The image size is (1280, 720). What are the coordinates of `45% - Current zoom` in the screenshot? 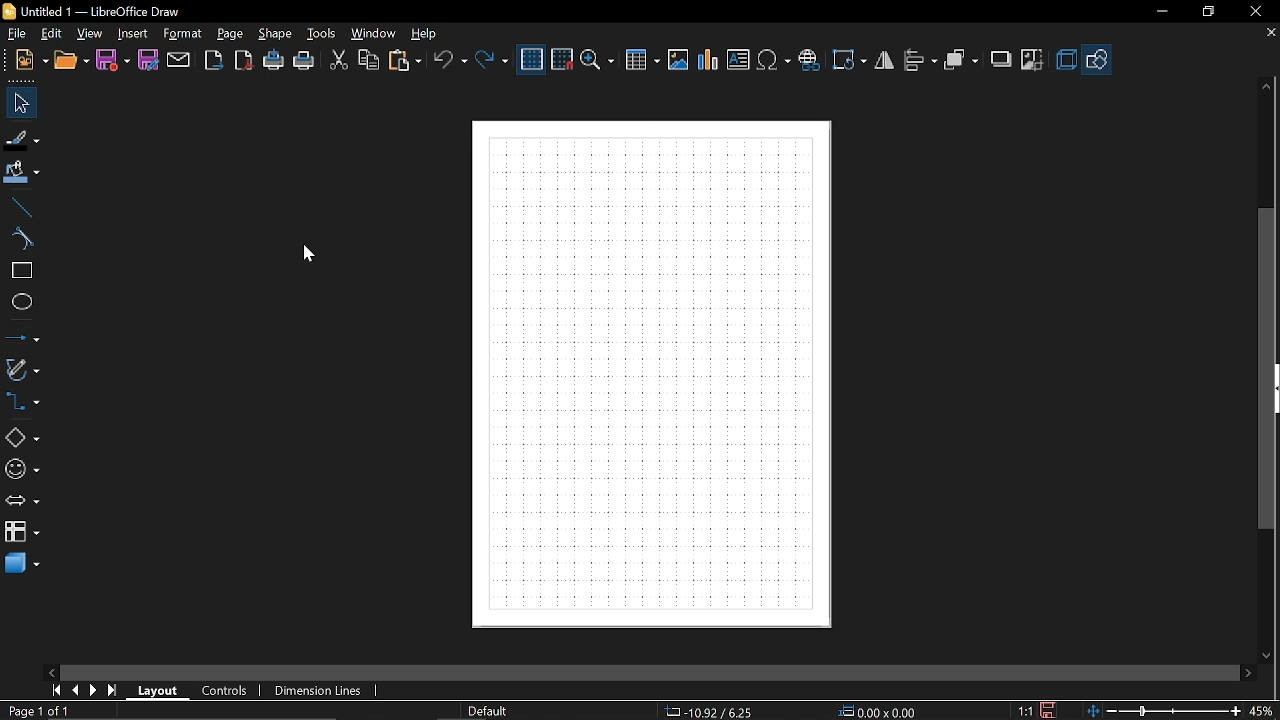 It's located at (1262, 712).